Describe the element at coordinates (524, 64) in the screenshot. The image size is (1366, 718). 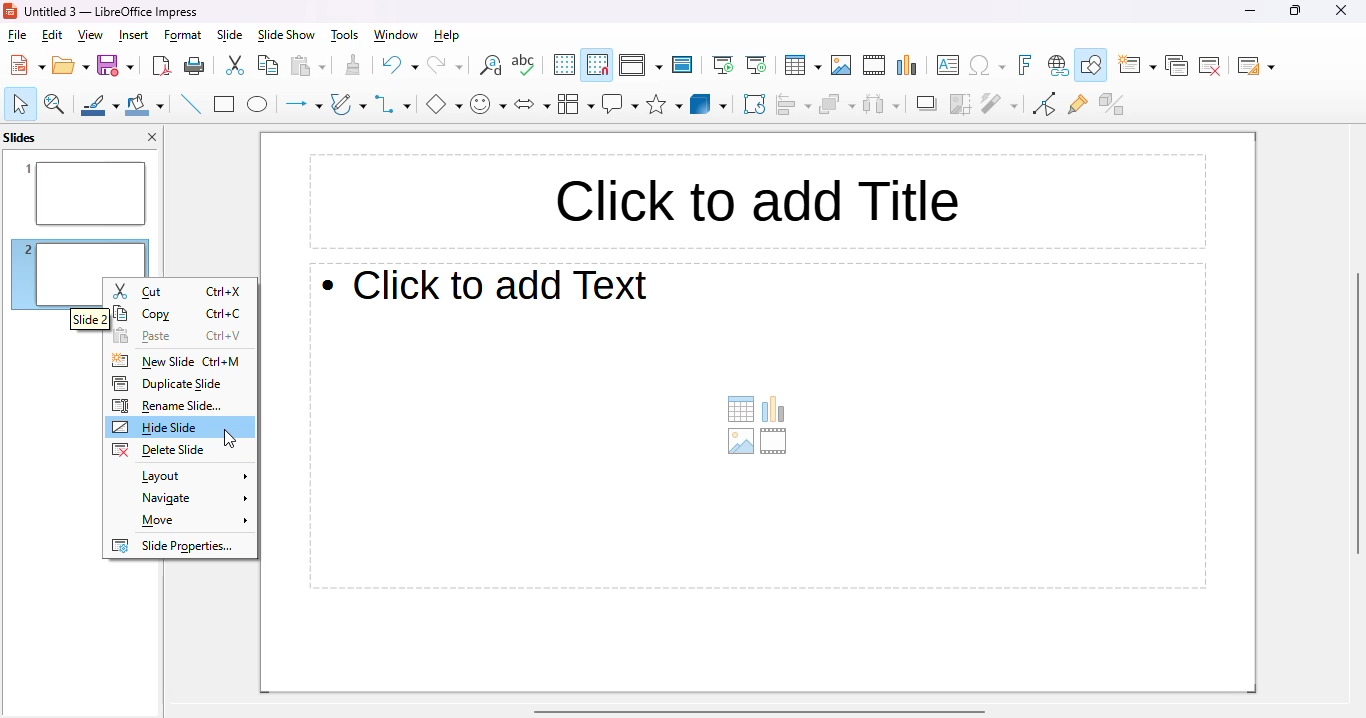
I see `check spelling` at that location.